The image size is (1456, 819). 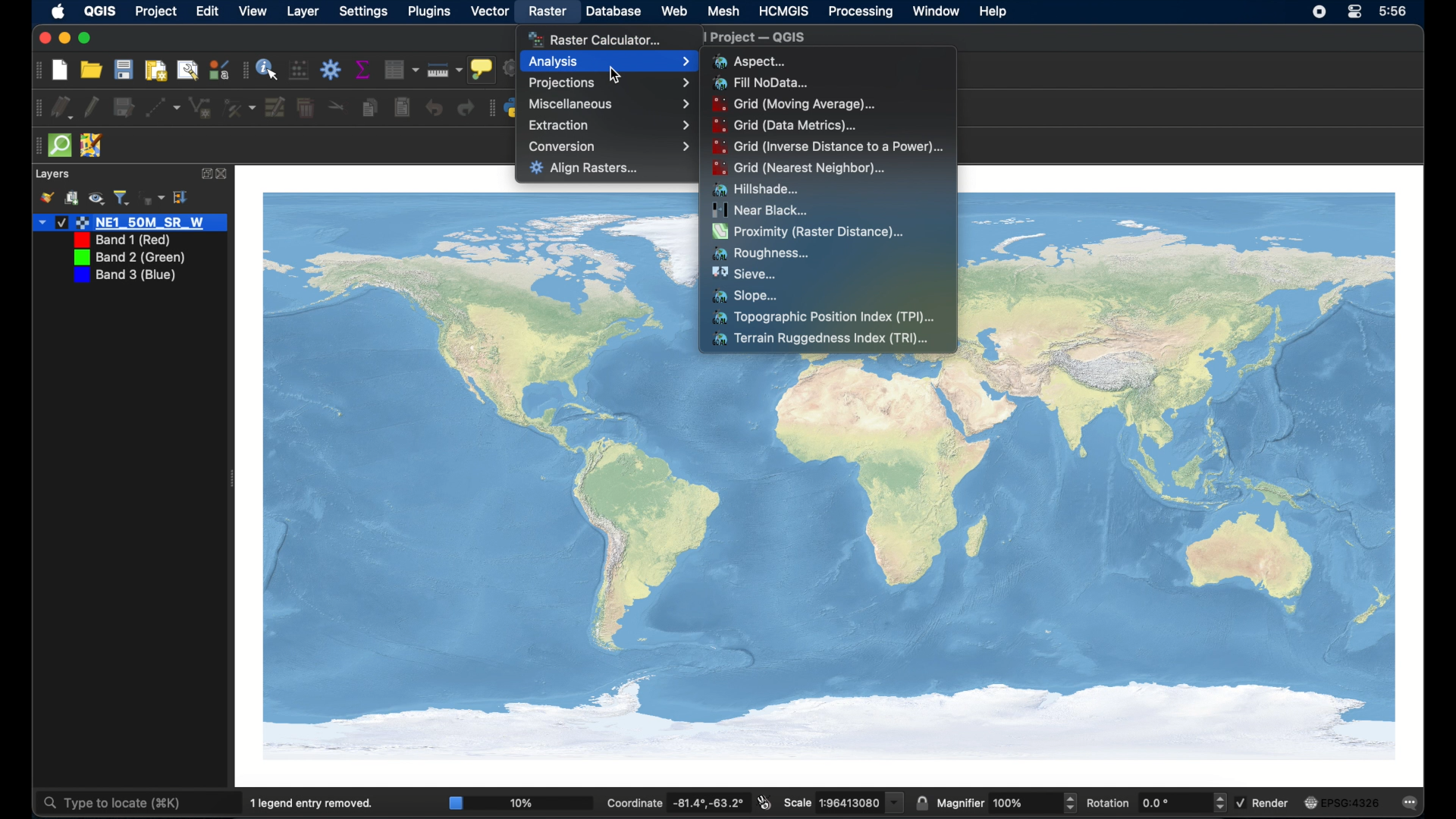 What do you see at coordinates (130, 223) in the screenshot?
I see `layer1` at bounding box center [130, 223].